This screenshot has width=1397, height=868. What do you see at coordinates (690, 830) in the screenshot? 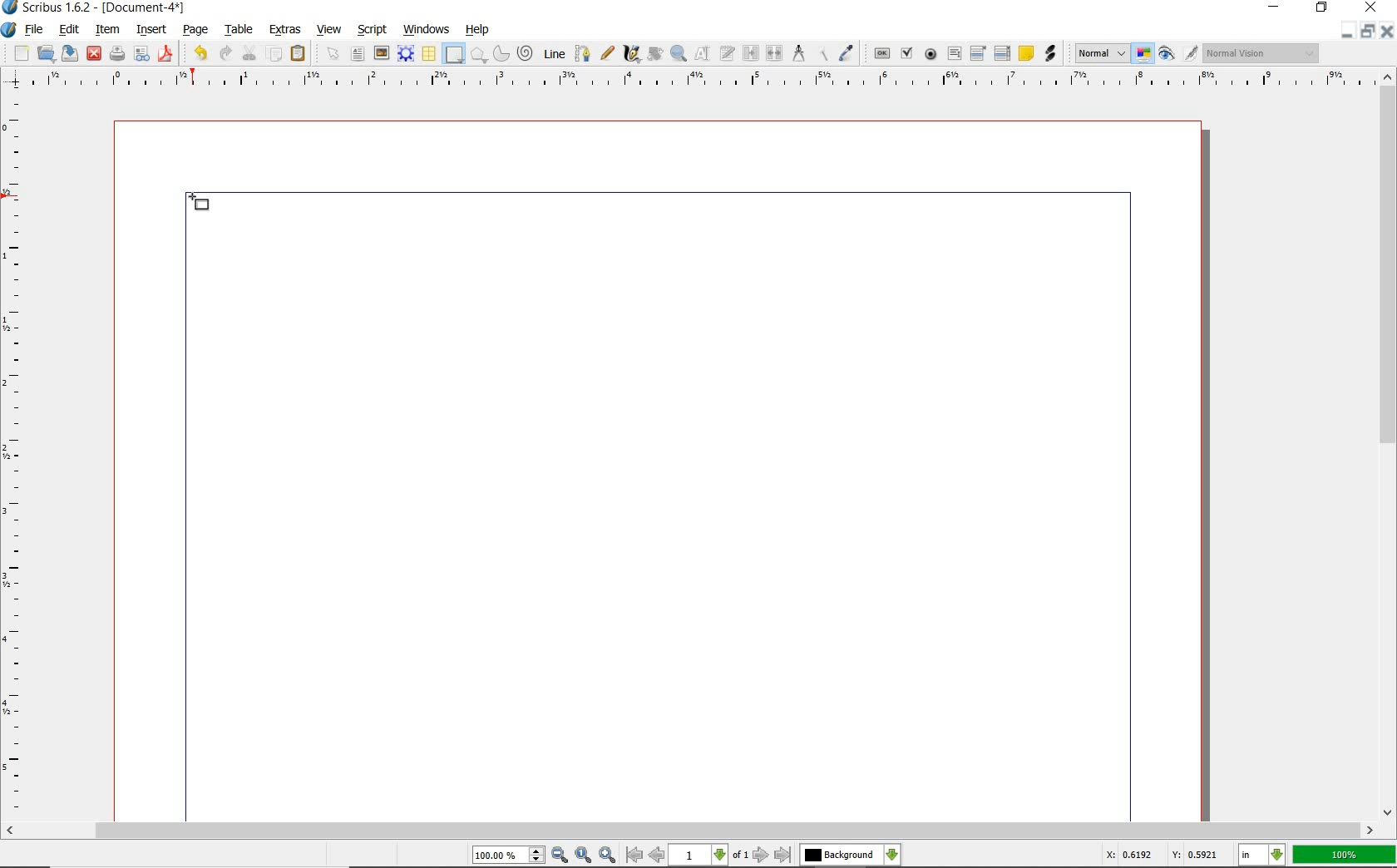
I see `scrollbar` at bounding box center [690, 830].